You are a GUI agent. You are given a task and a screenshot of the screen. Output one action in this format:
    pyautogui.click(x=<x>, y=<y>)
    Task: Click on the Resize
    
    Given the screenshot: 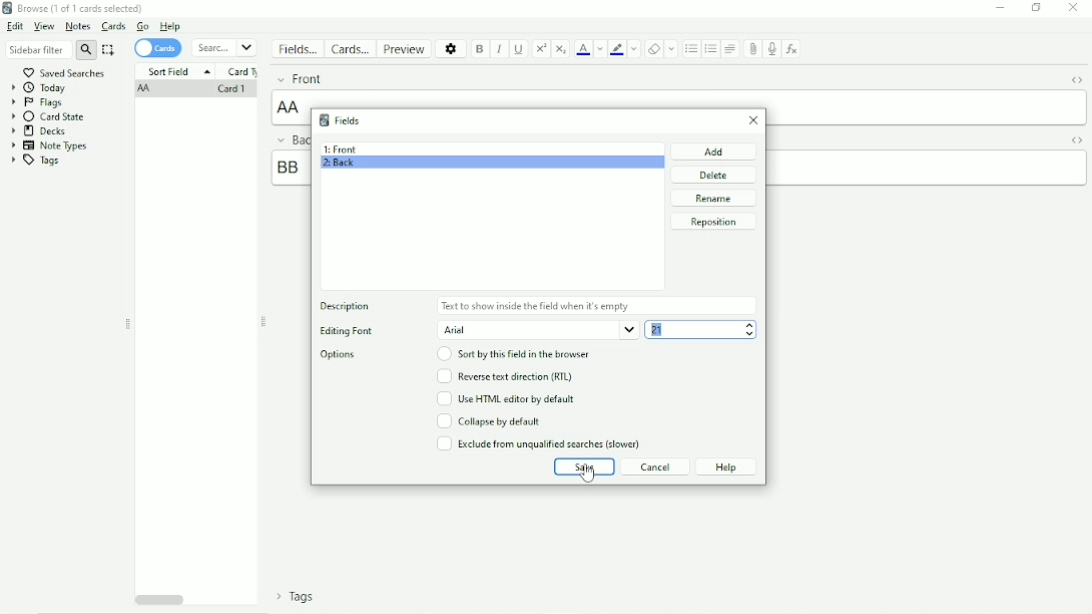 What is the action you would take?
    pyautogui.click(x=128, y=324)
    